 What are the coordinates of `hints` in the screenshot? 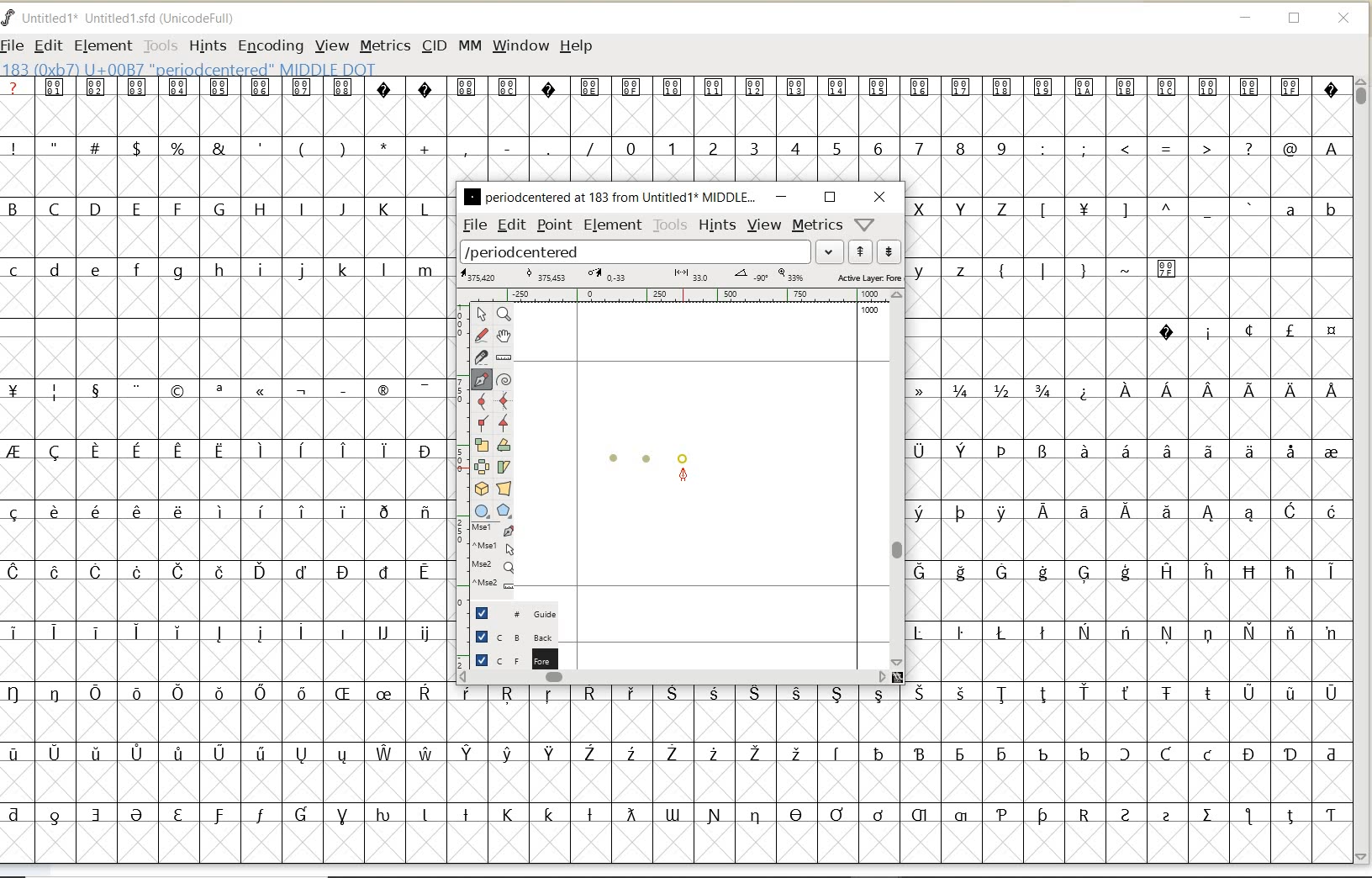 It's located at (718, 225).